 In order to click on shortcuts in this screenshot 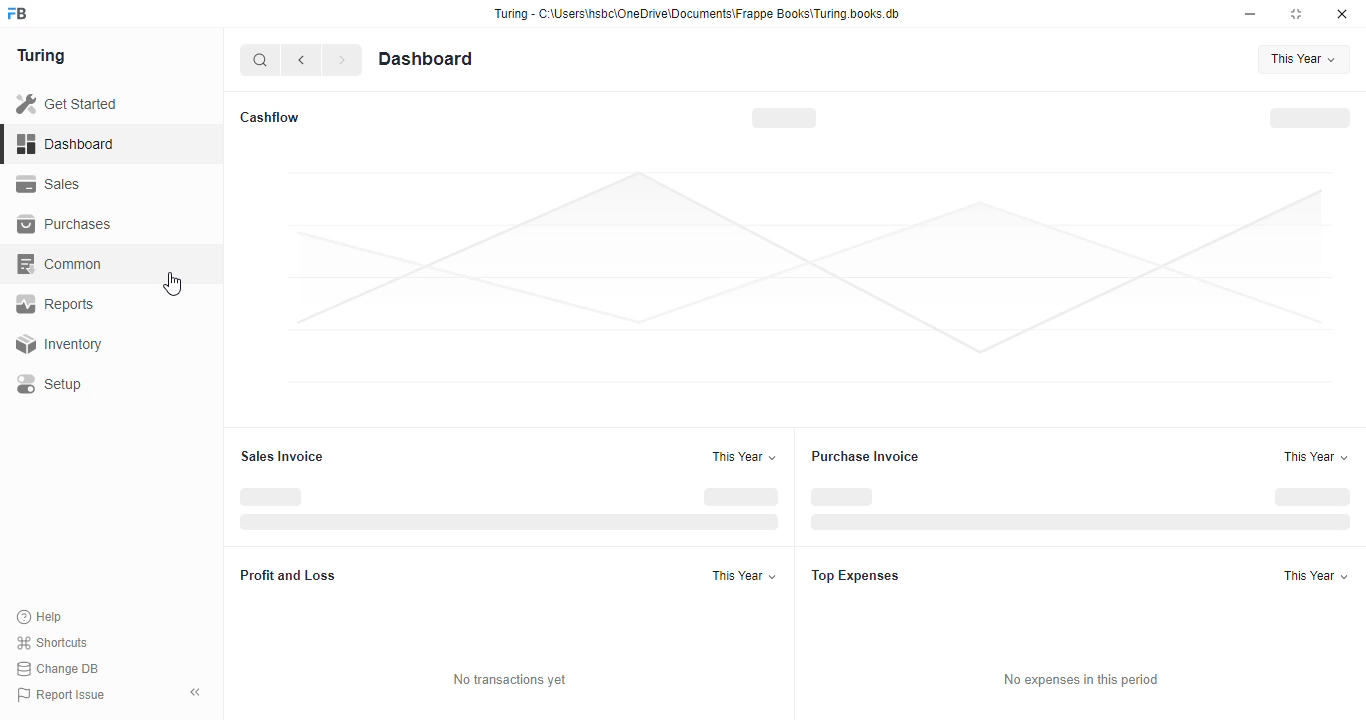, I will do `click(52, 643)`.